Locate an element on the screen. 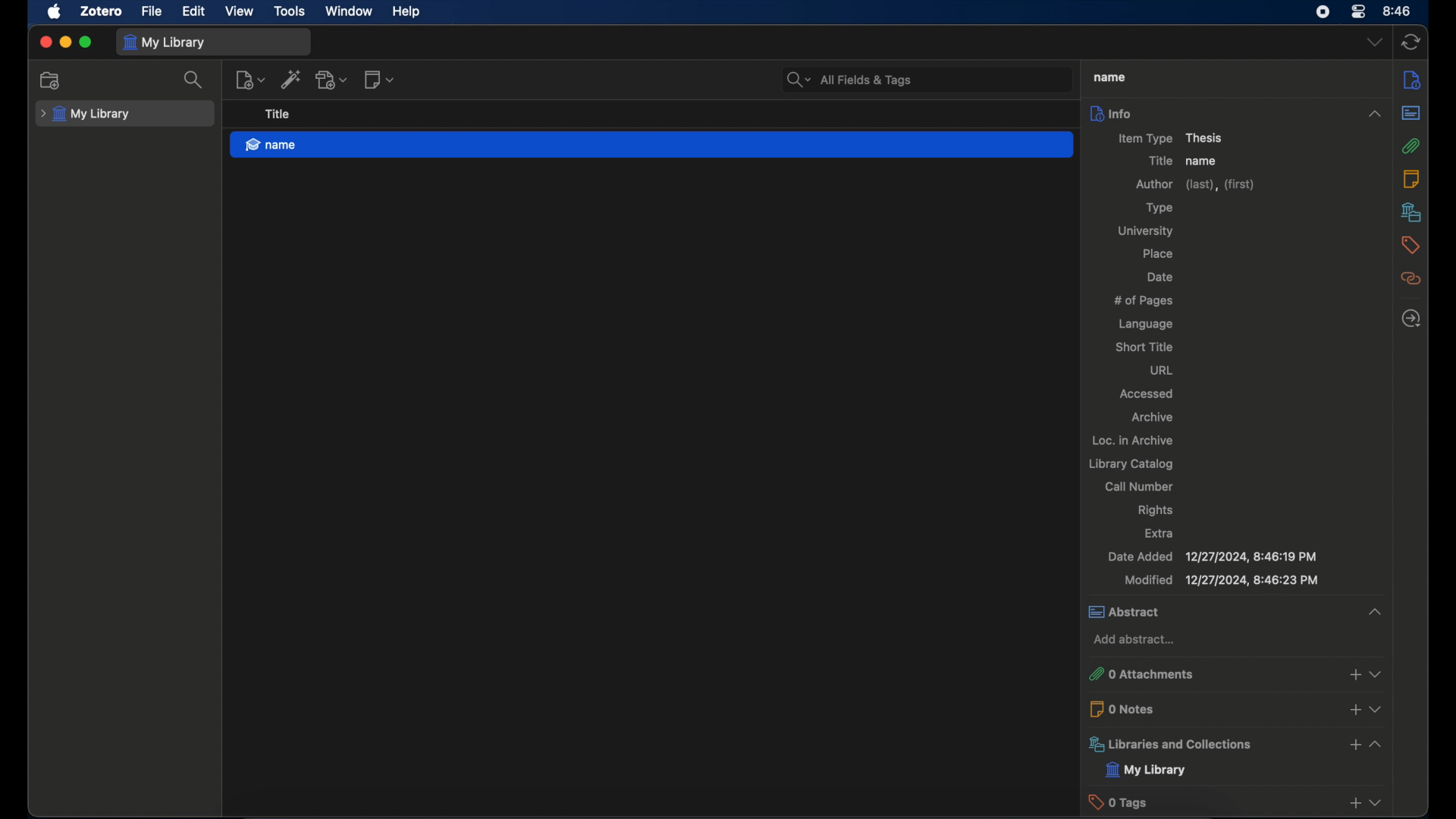 This screenshot has height=819, width=1456. my library is located at coordinates (164, 42).